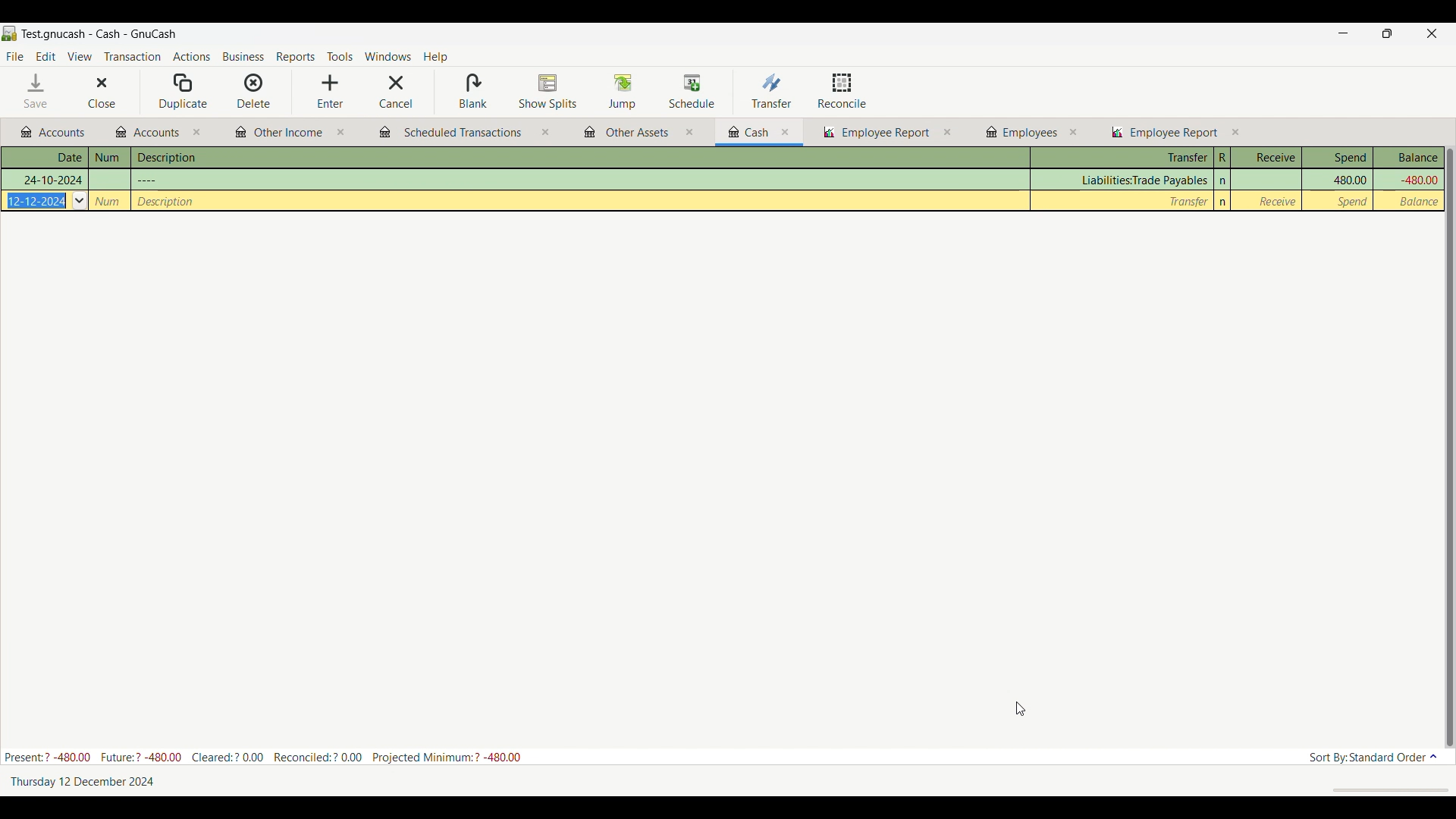  I want to click on Blank, so click(473, 91).